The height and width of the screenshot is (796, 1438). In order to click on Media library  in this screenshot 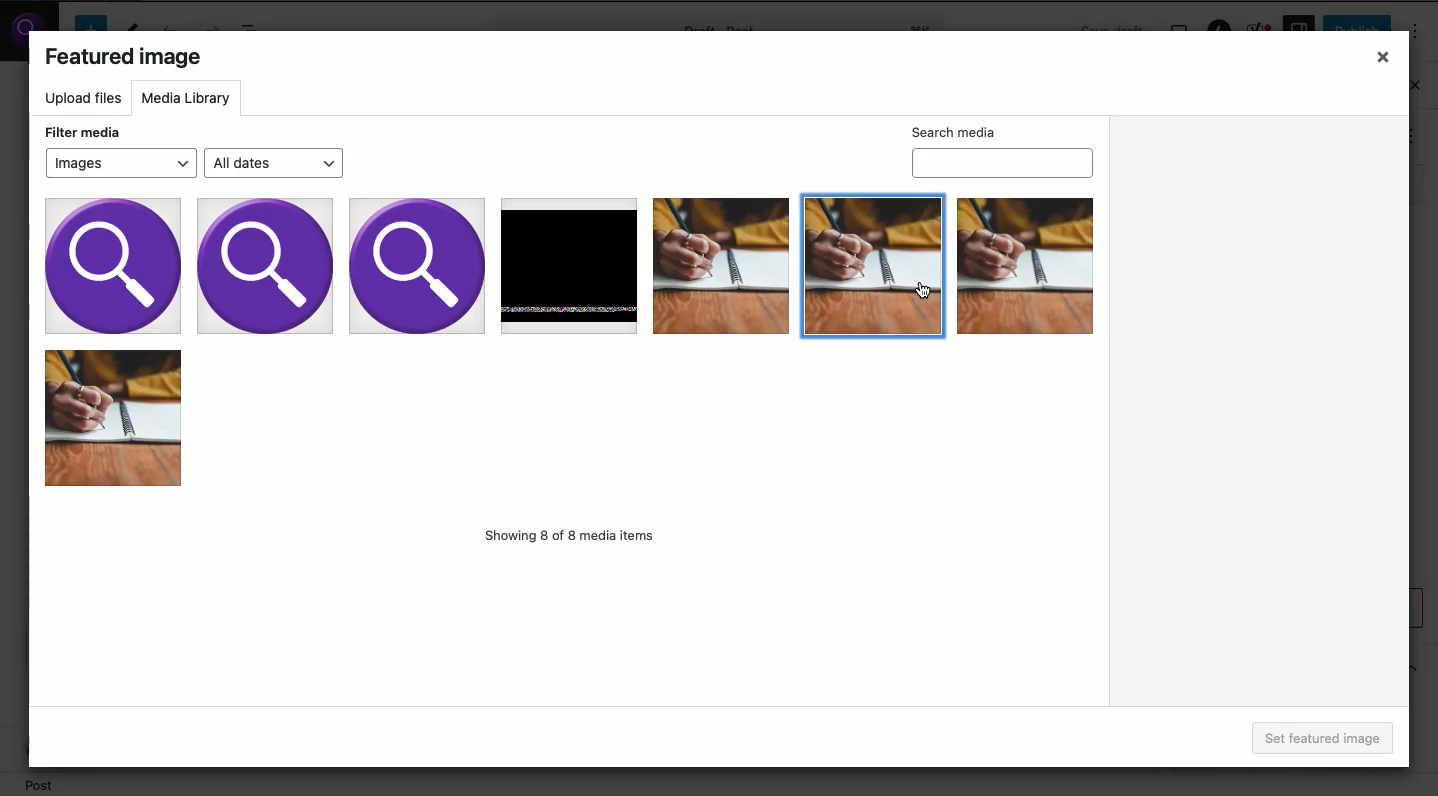, I will do `click(192, 101)`.